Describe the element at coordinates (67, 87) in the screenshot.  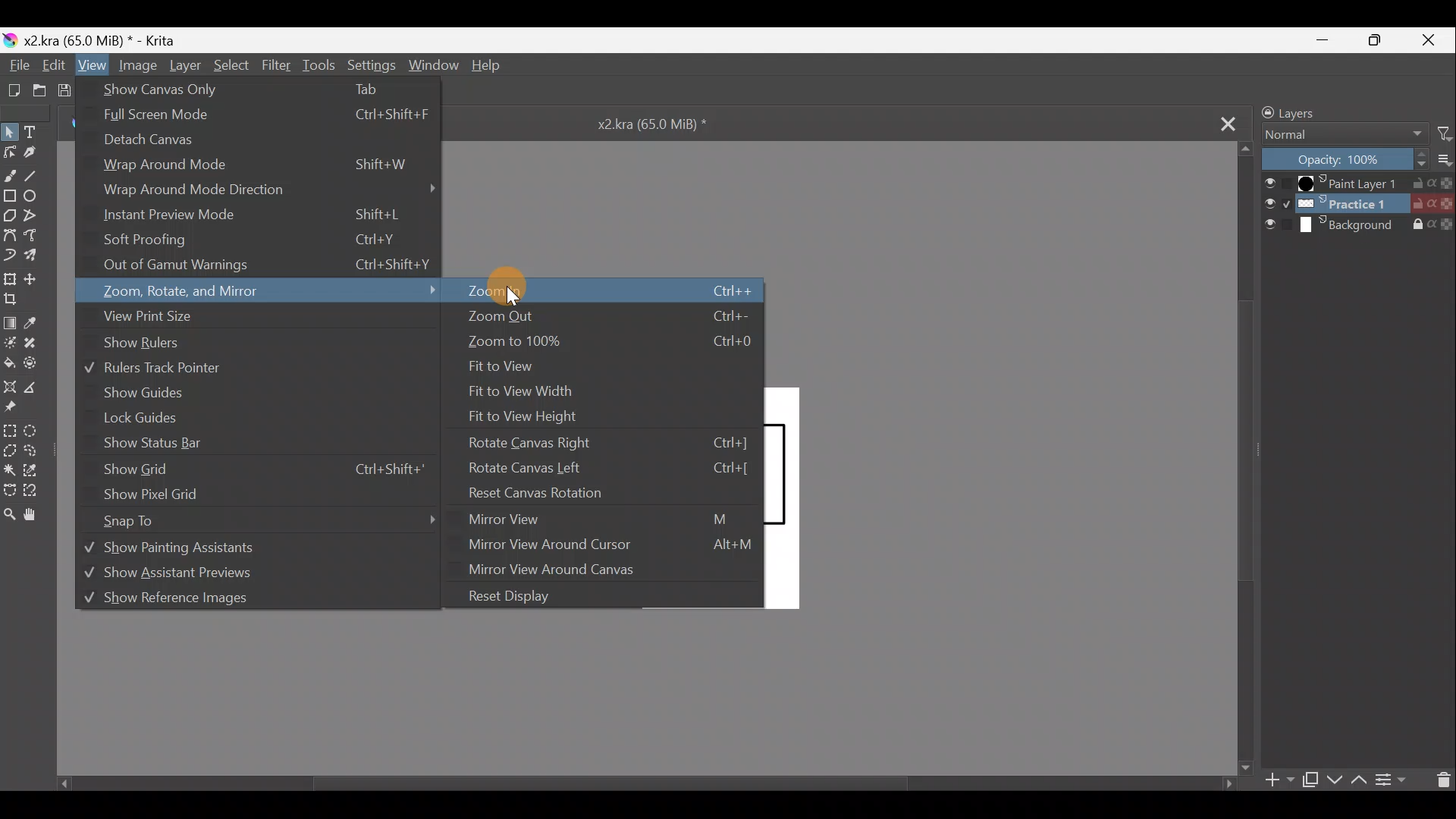
I see `Save` at that location.